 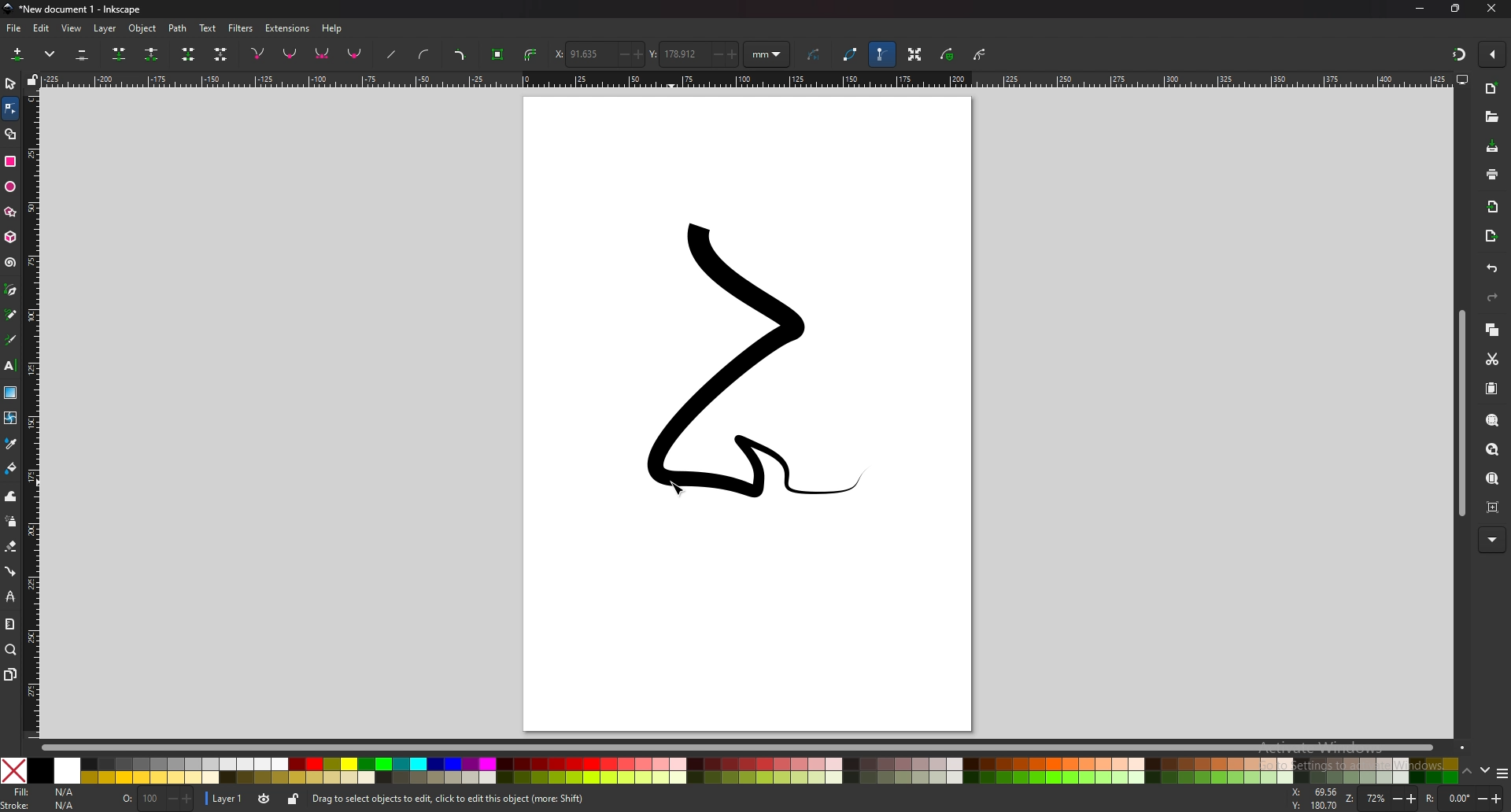 I want to click on resize, so click(x=1457, y=9).